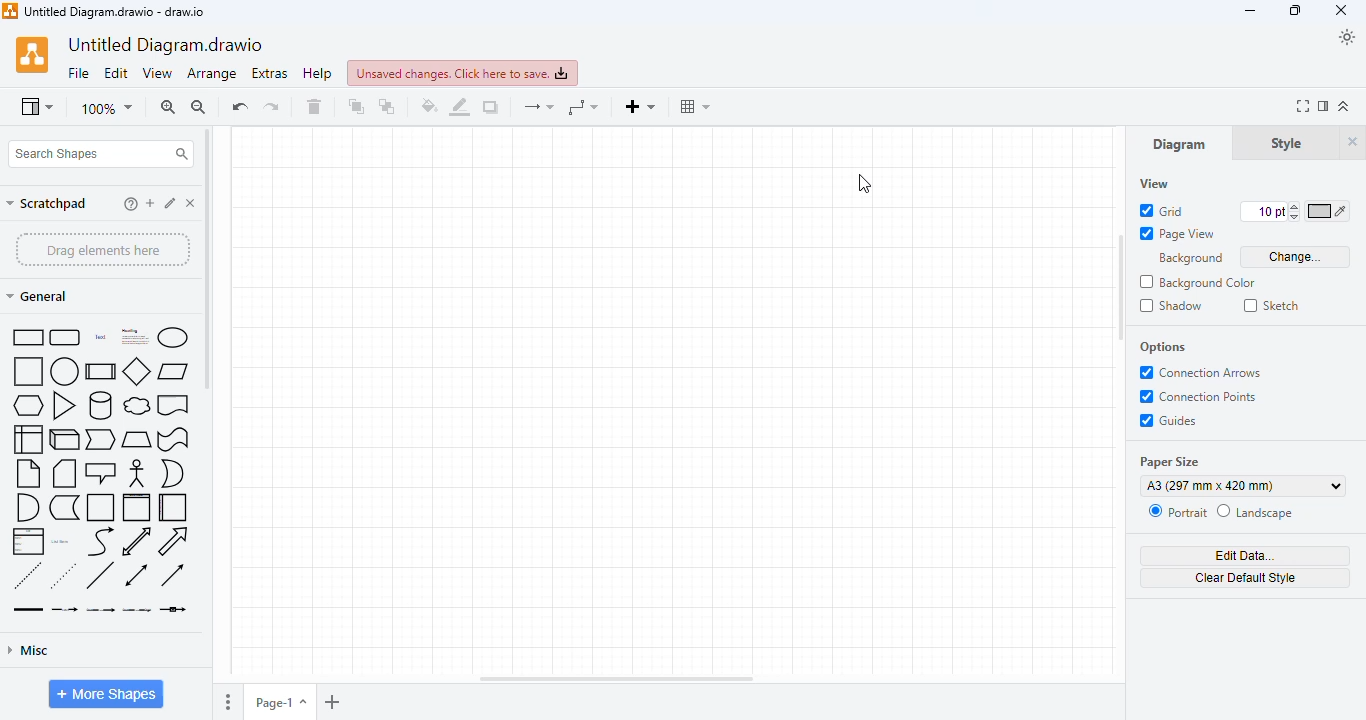 This screenshot has width=1366, height=720. I want to click on extras, so click(270, 74).